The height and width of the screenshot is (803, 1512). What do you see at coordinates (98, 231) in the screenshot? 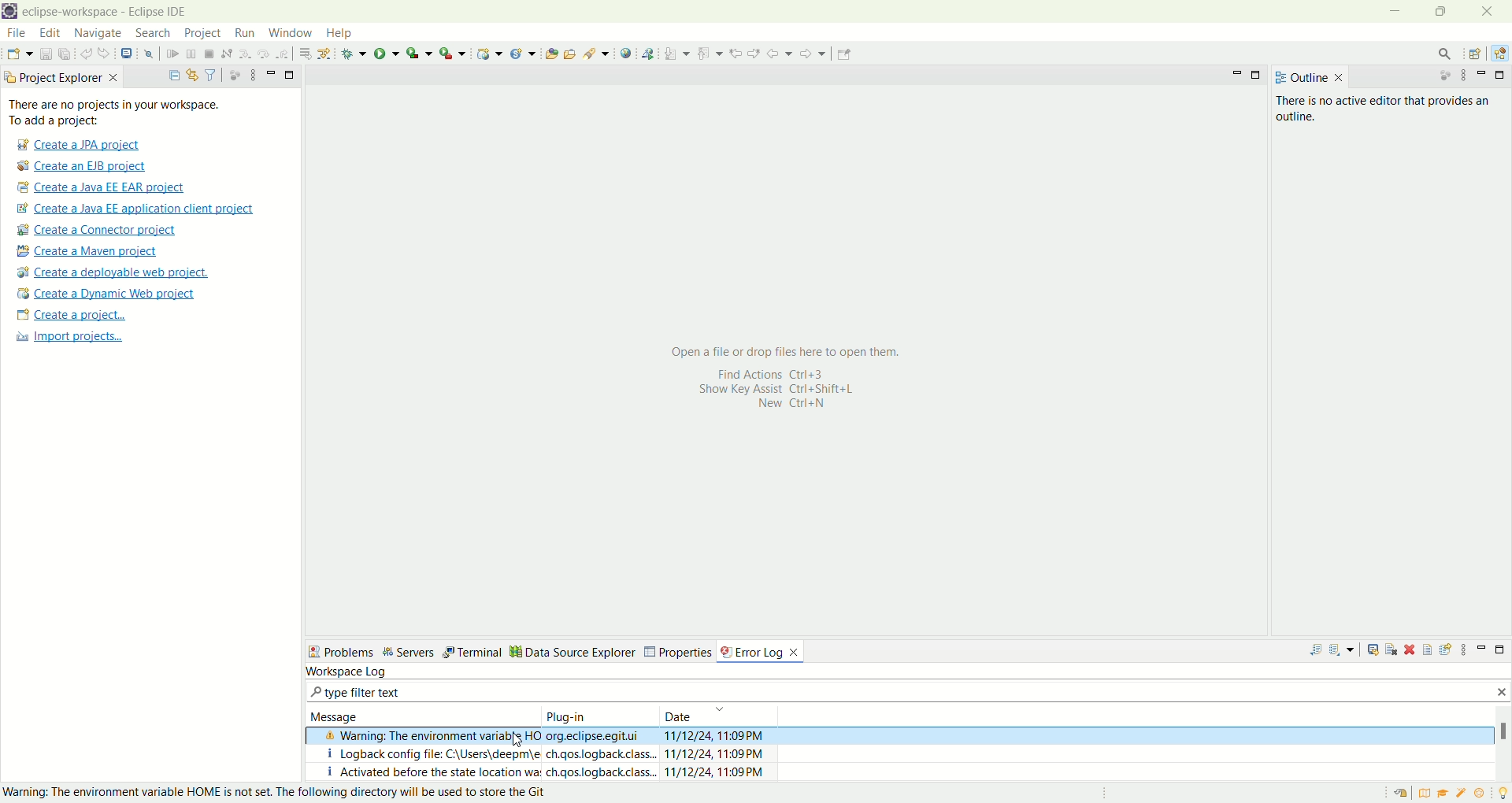
I see `create a connector project` at bounding box center [98, 231].